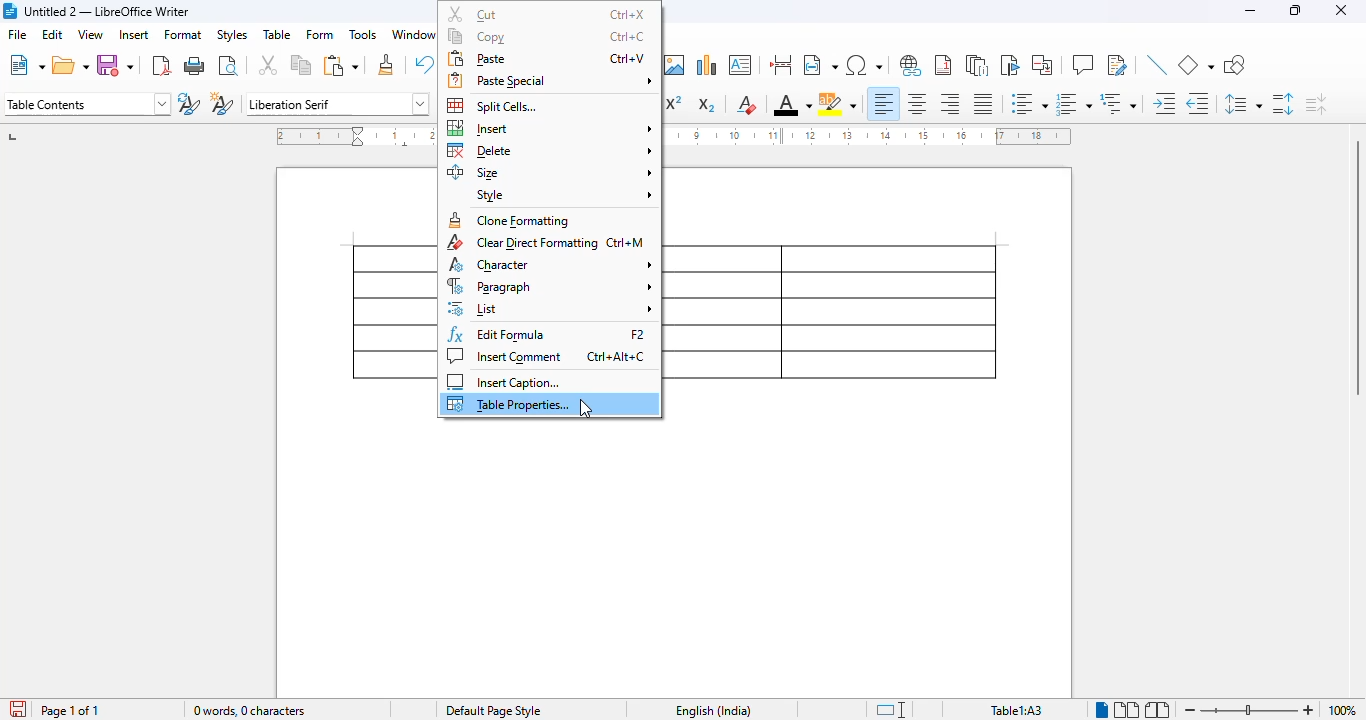 This screenshot has height=720, width=1366. Describe the element at coordinates (837, 104) in the screenshot. I see `character highlighting color` at that location.